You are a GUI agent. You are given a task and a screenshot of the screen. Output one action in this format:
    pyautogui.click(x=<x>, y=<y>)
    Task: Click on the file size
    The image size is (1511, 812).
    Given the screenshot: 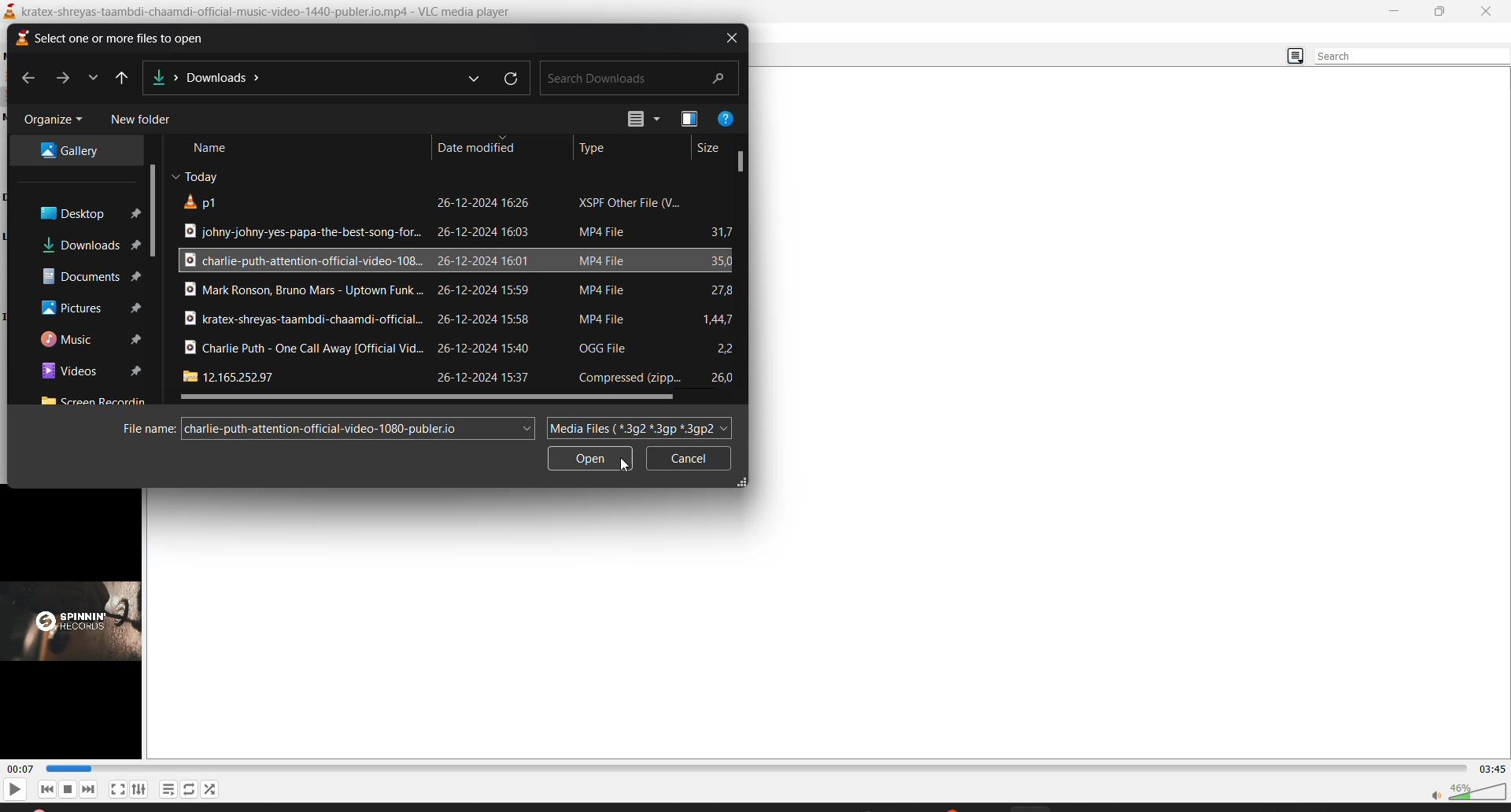 What is the action you would take?
    pyautogui.click(x=719, y=231)
    